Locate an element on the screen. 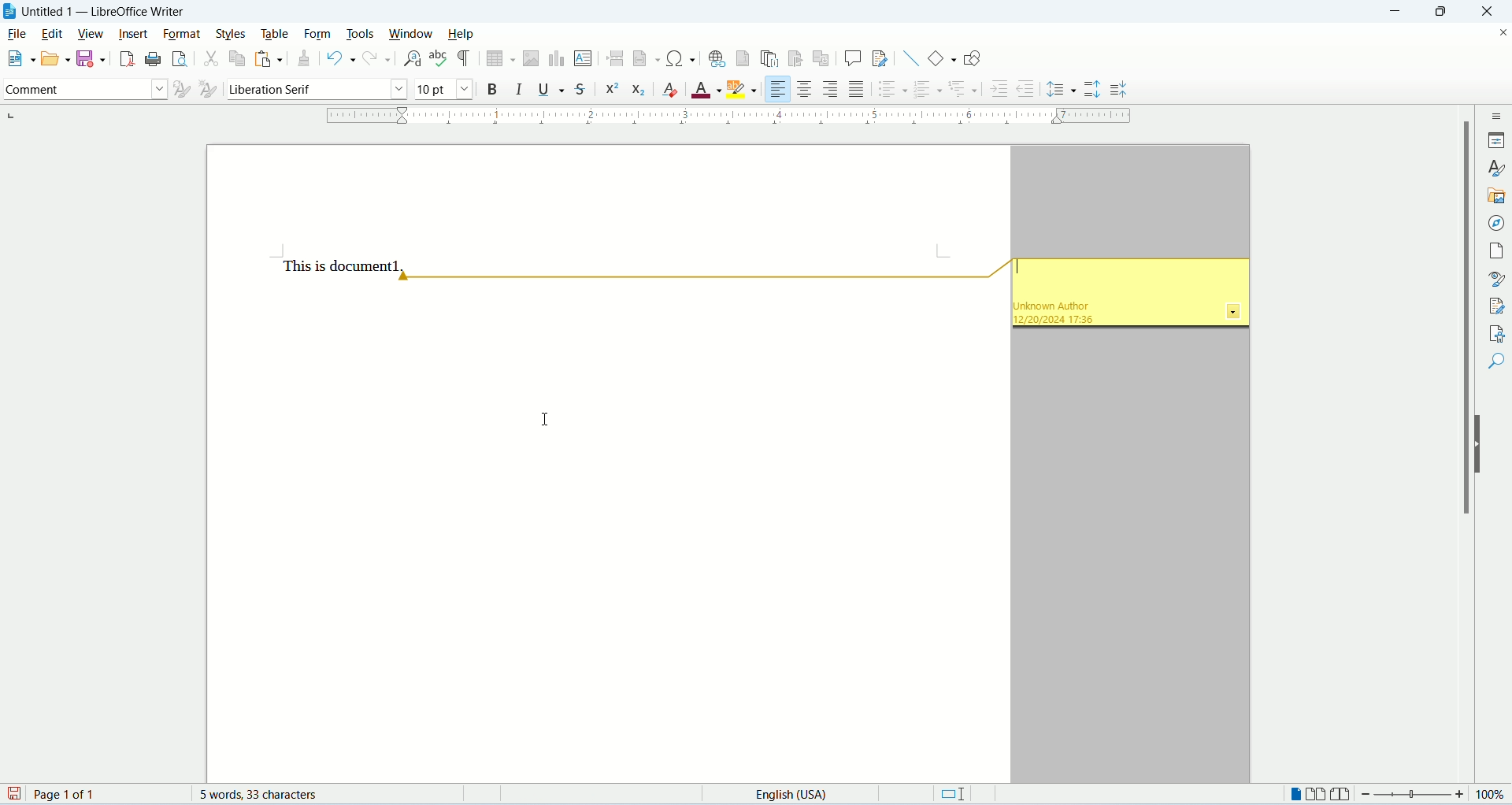 The width and height of the screenshot is (1512, 805). single page view is located at coordinates (1295, 793).